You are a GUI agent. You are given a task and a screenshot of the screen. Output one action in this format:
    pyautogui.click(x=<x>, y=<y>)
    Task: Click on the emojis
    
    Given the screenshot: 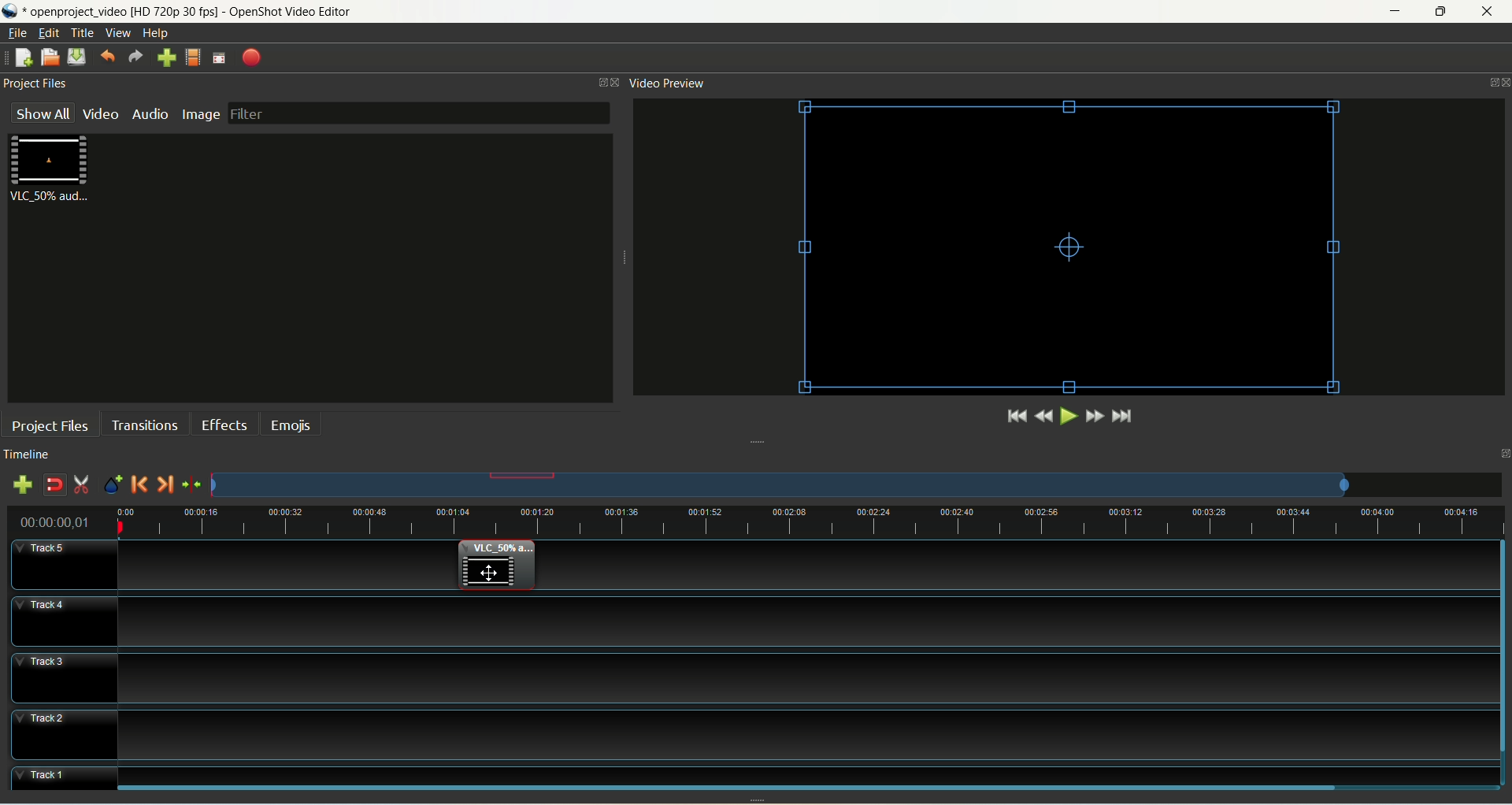 What is the action you would take?
    pyautogui.click(x=289, y=424)
    